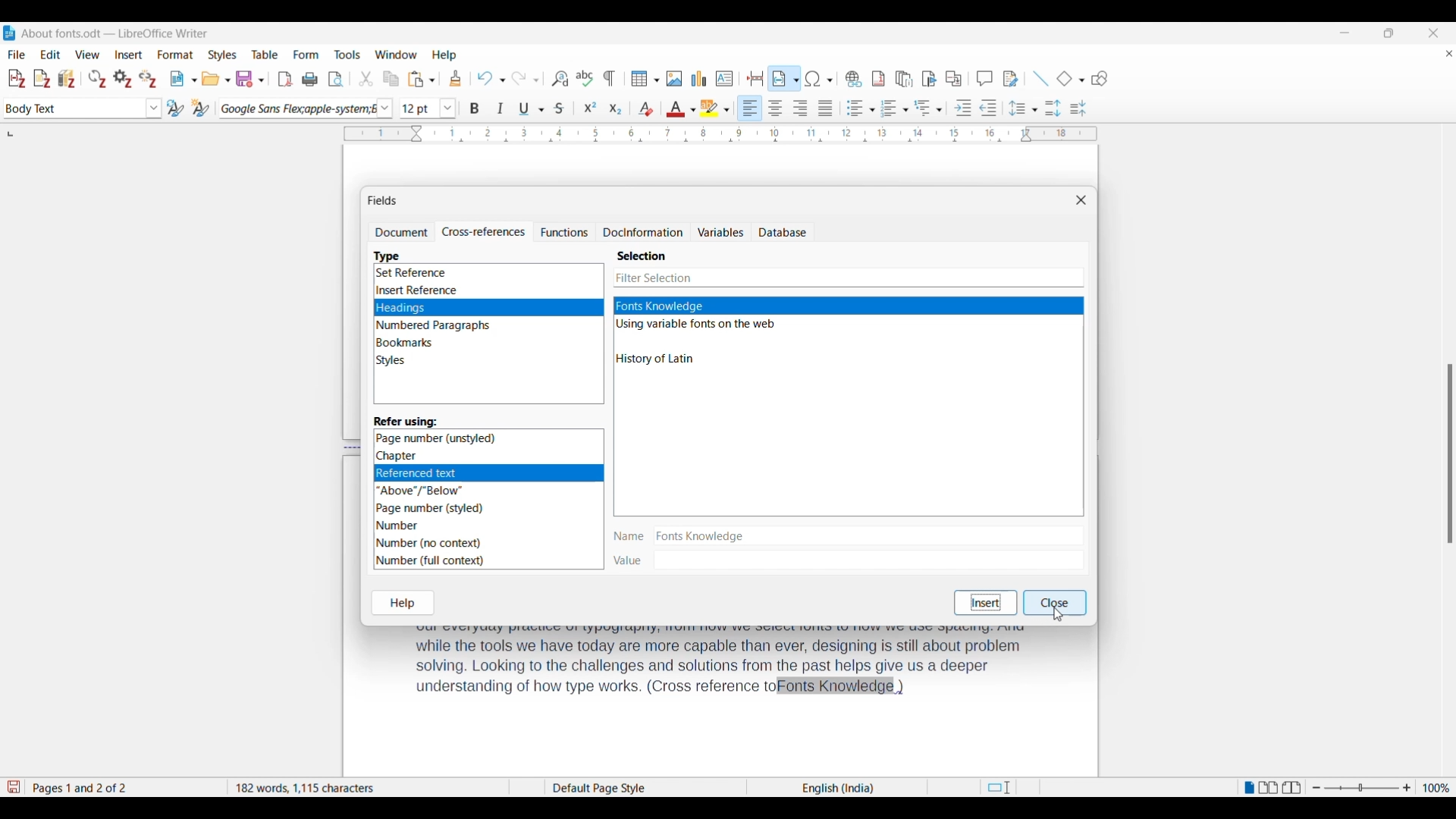  What do you see at coordinates (394, 362) in the screenshot?
I see `Styles` at bounding box center [394, 362].